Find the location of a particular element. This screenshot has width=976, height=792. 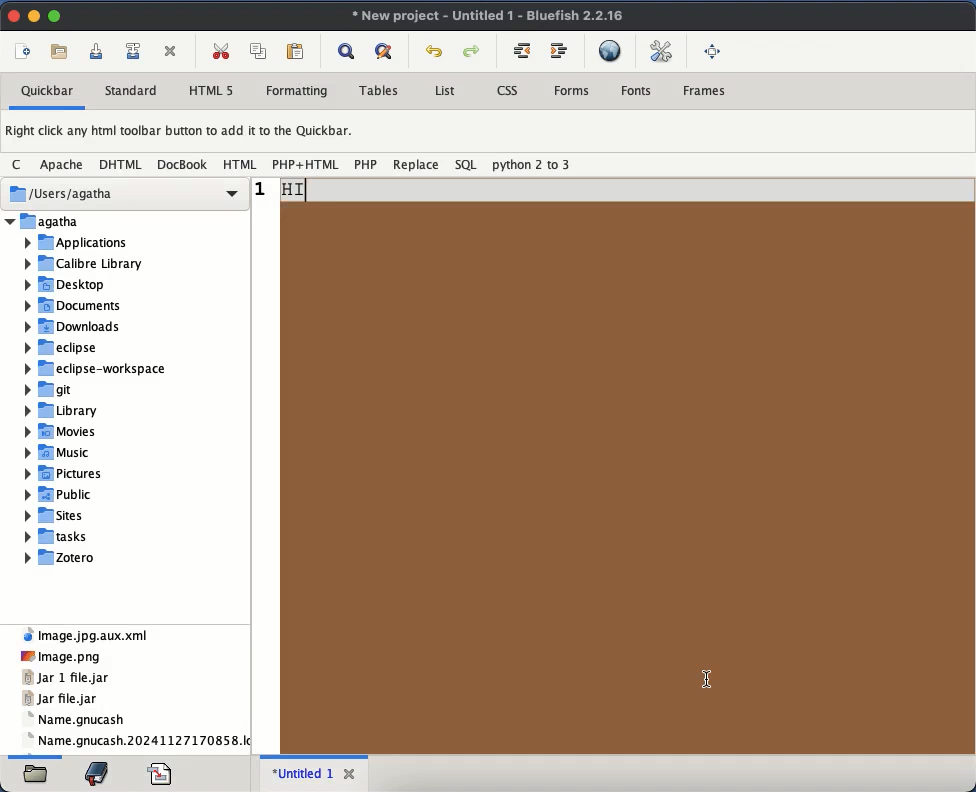

maximize is located at coordinates (55, 17).